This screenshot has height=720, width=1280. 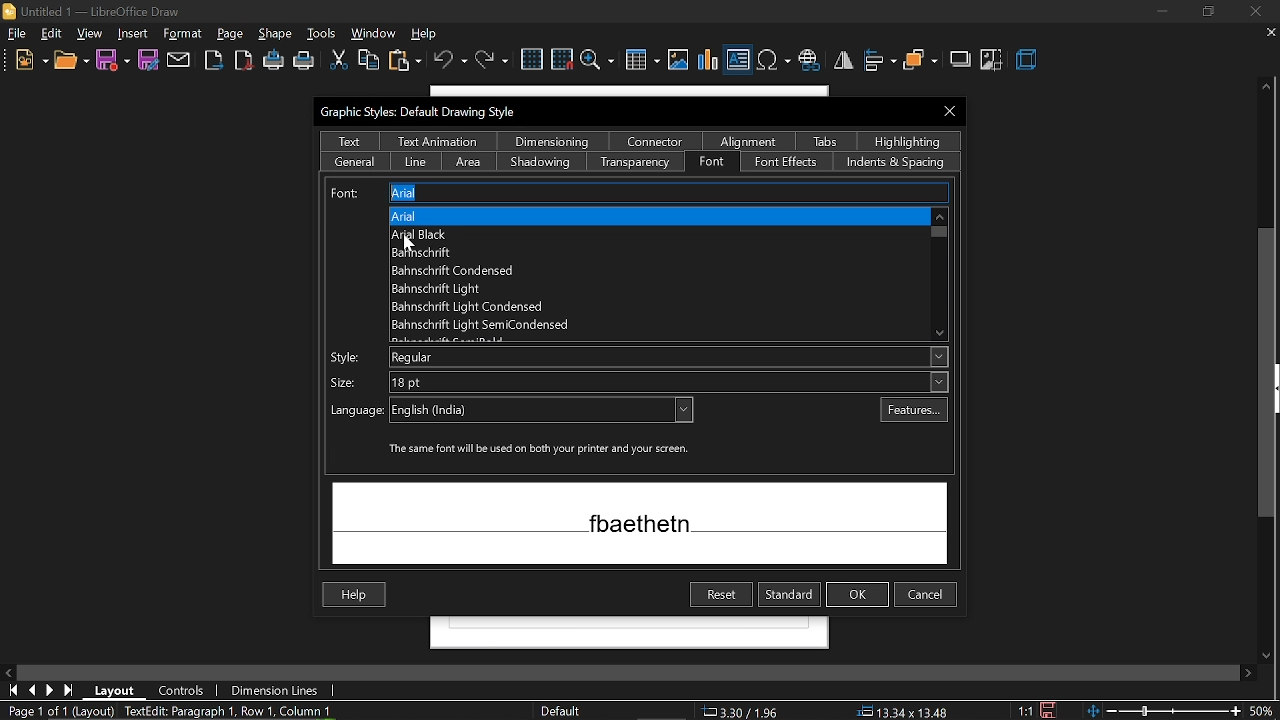 I want to click on text animation, so click(x=439, y=140).